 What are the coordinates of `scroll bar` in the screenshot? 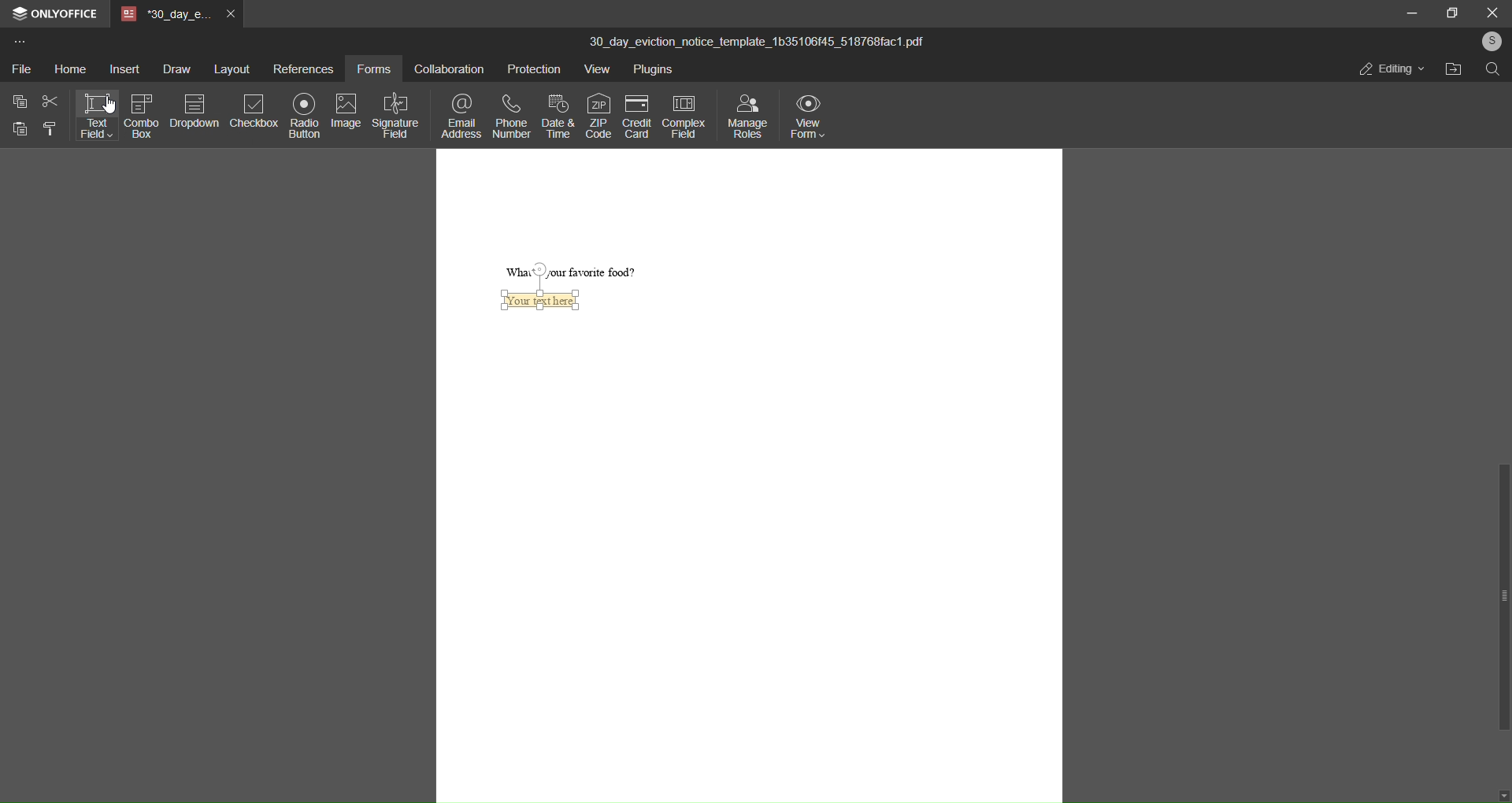 It's located at (1503, 597).